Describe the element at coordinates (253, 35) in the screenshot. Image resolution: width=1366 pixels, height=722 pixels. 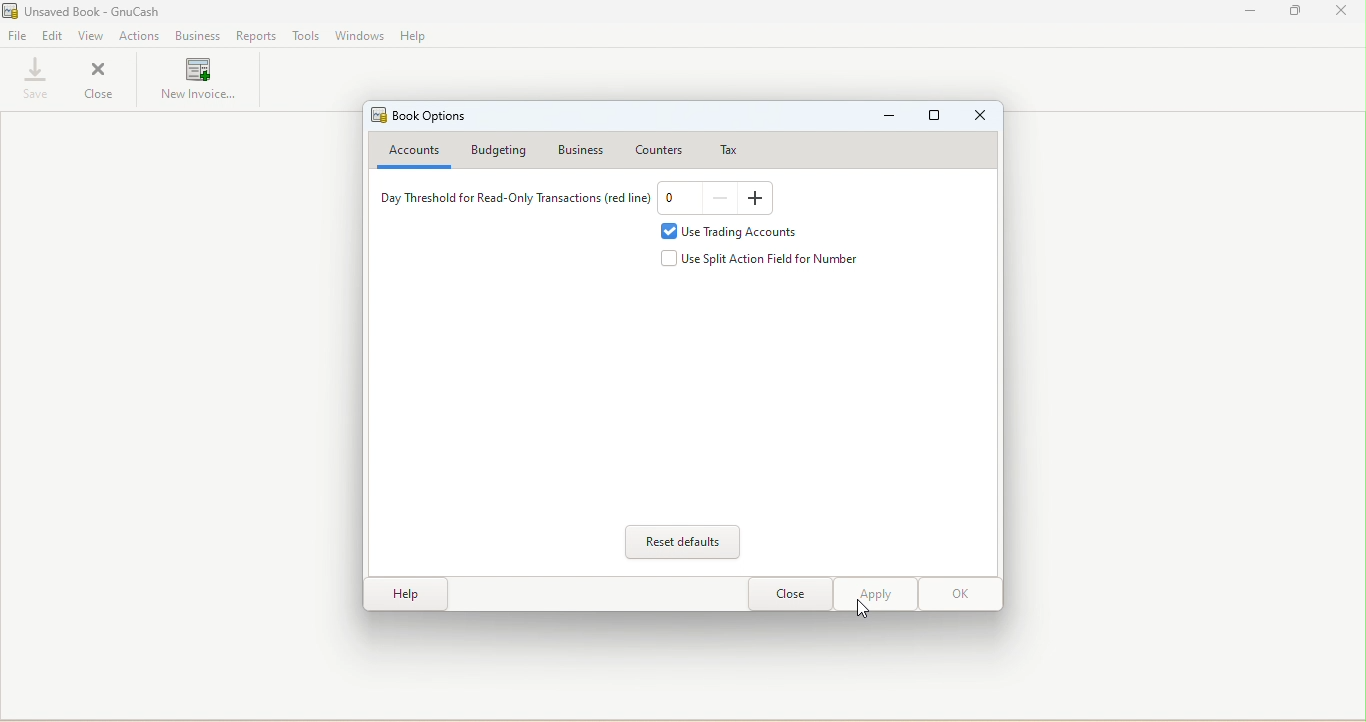
I see `Reports` at that location.